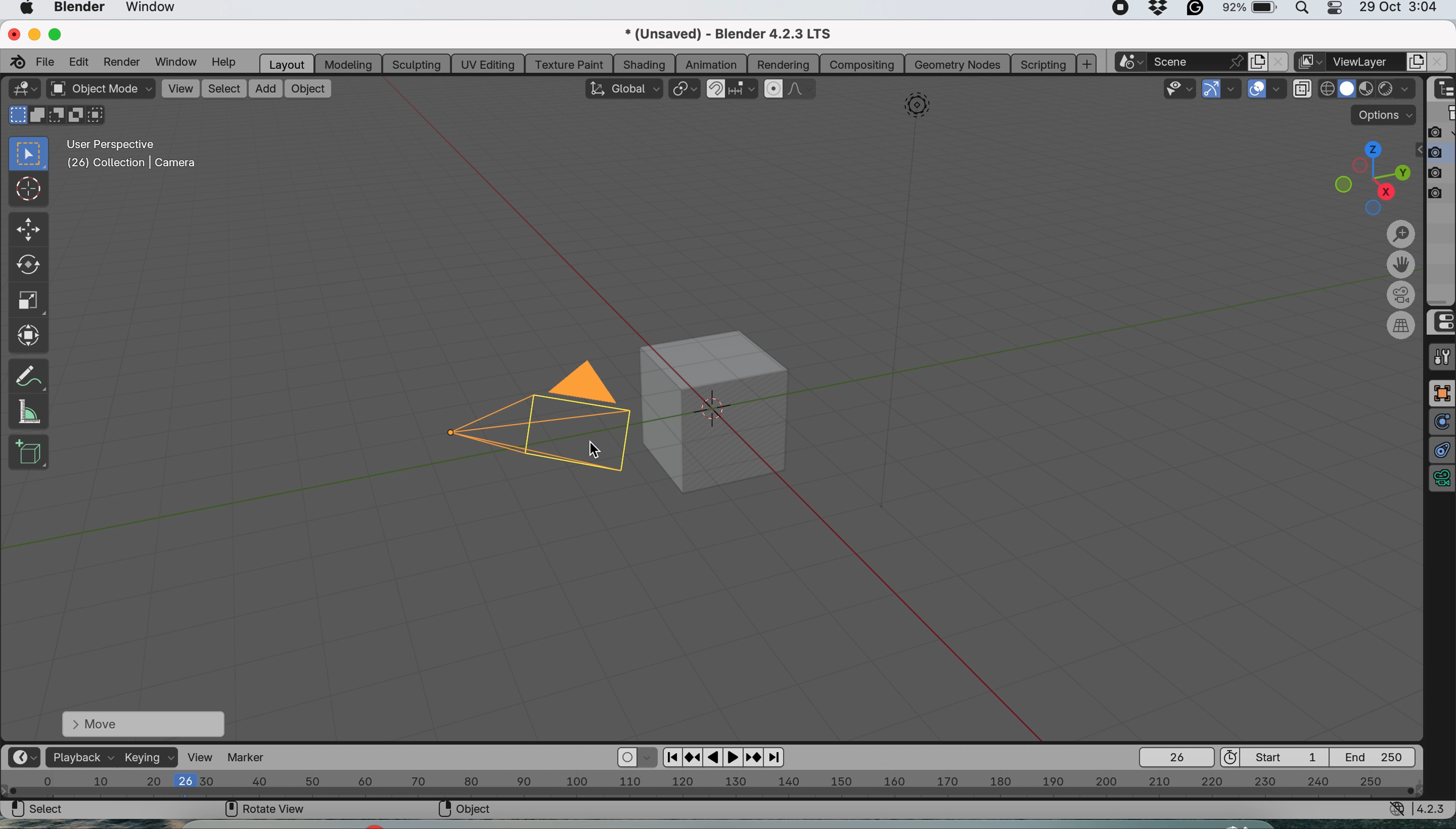 This screenshot has height=829, width=1456. What do you see at coordinates (1365, 176) in the screenshot?
I see `preset viewpoints` at bounding box center [1365, 176].